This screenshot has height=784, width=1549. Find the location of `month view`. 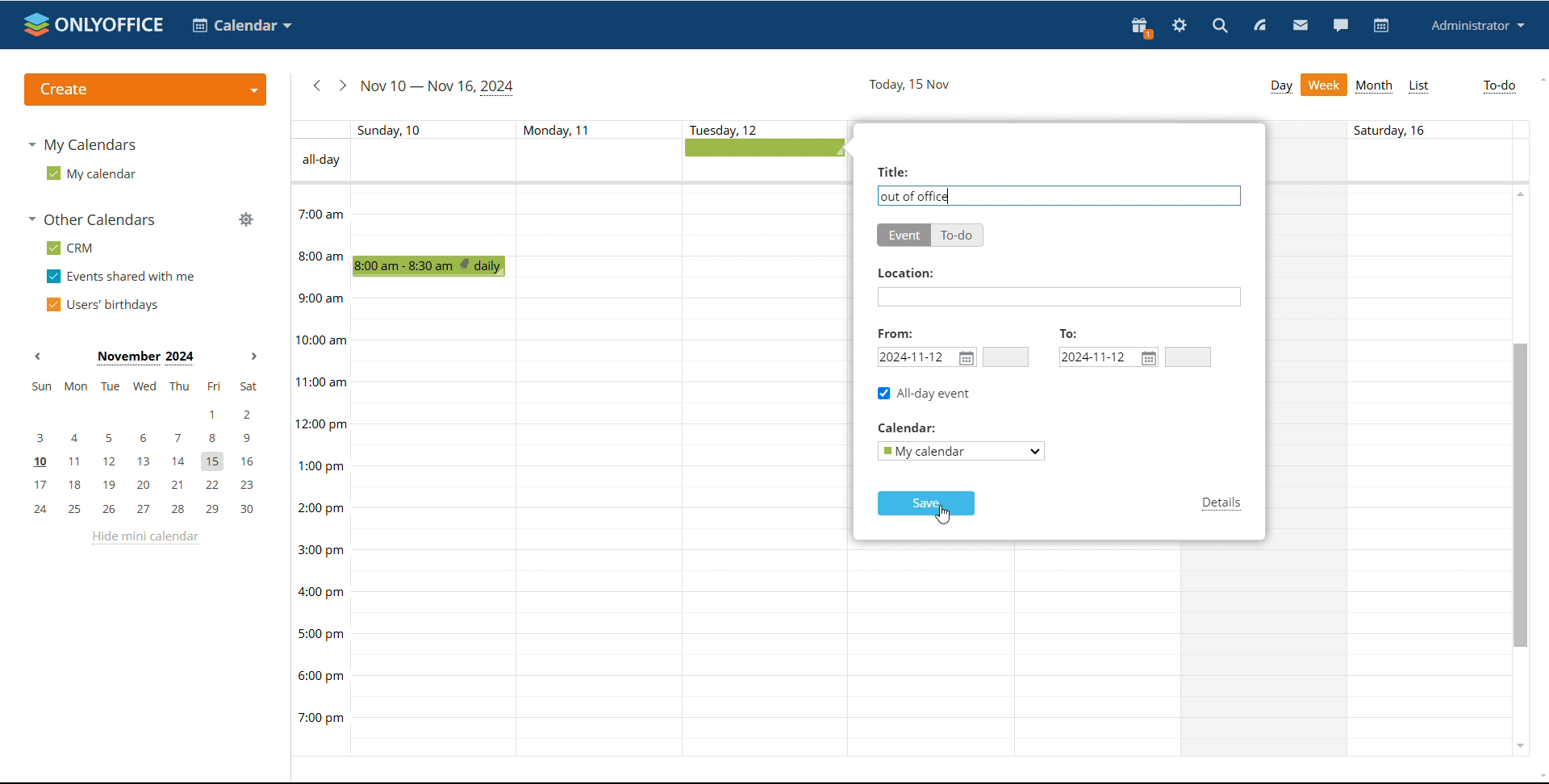

month view is located at coordinates (1375, 87).